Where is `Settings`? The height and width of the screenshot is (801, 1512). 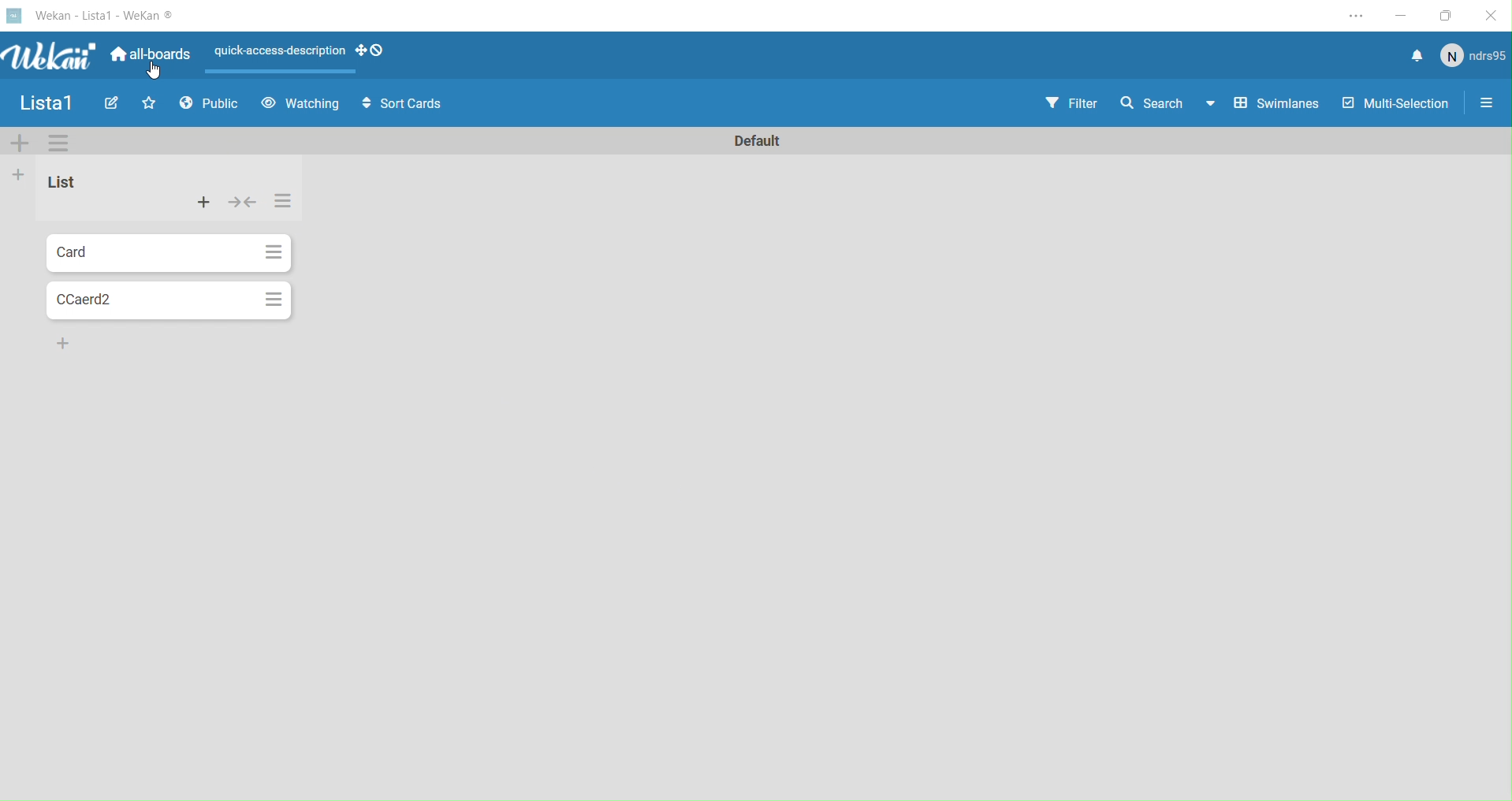
Settings is located at coordinates (1492, 102).